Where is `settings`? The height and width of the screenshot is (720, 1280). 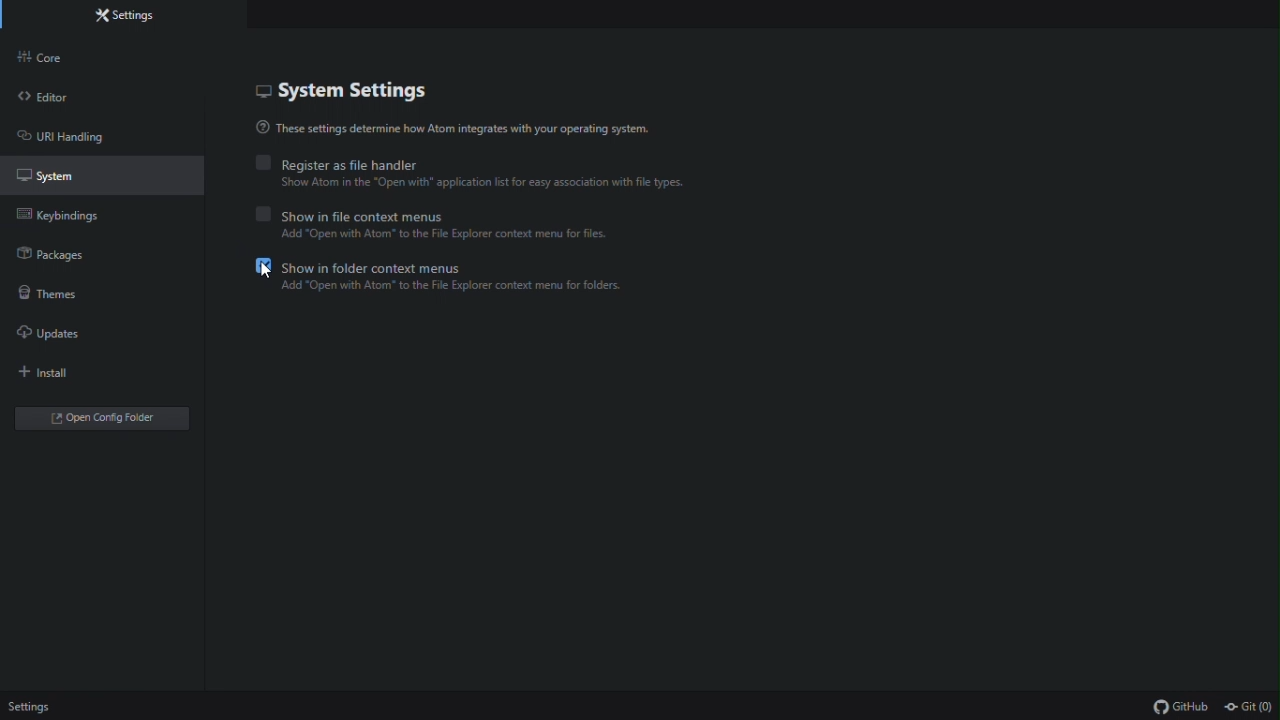
settings is located at coordinates (121, 17).